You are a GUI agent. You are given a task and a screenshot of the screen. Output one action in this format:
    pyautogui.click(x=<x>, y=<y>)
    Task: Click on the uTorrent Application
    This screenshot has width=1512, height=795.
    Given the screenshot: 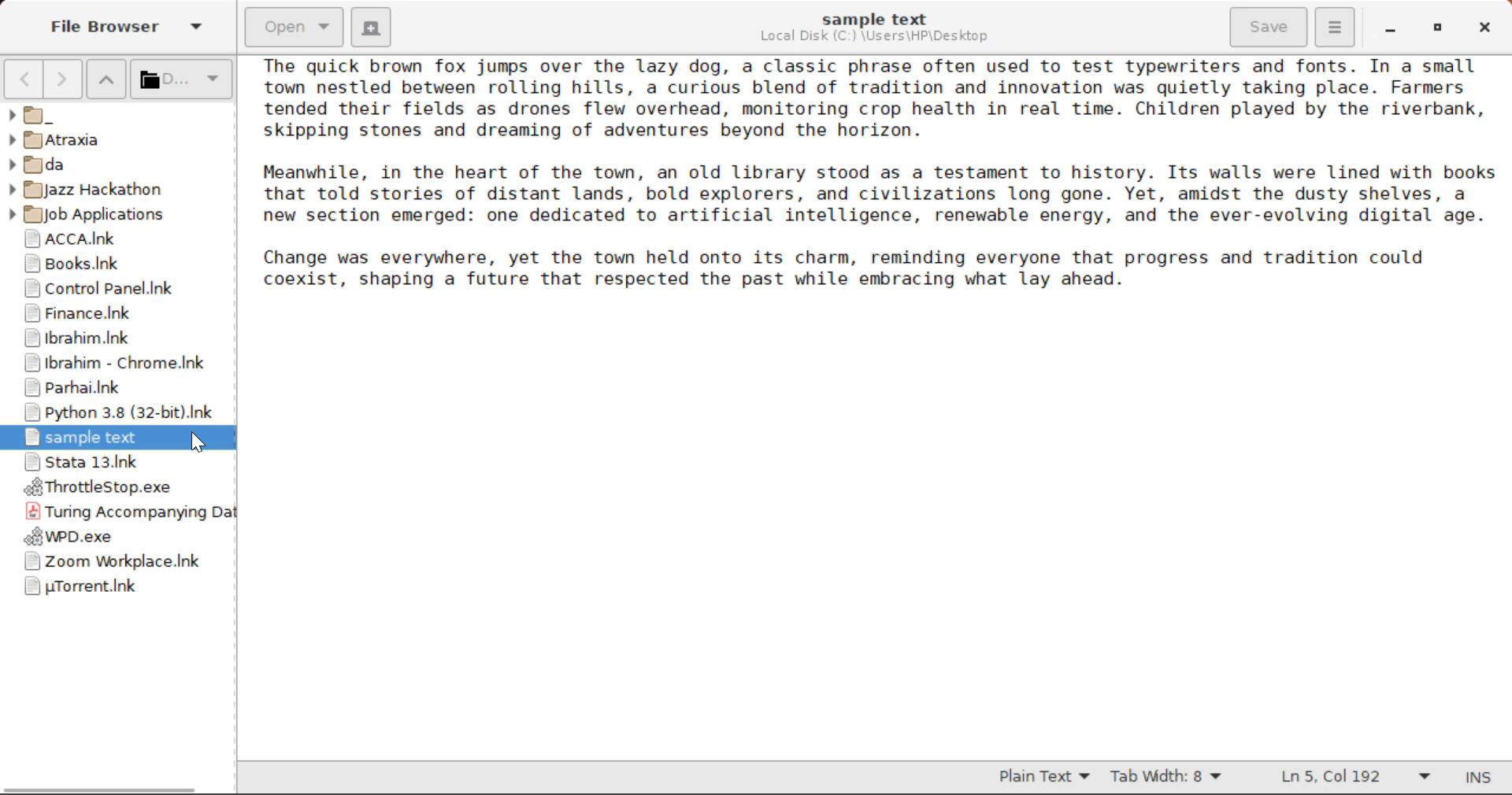 What is the action you would take?
    pyautogui.click(x=113, y=590)
    